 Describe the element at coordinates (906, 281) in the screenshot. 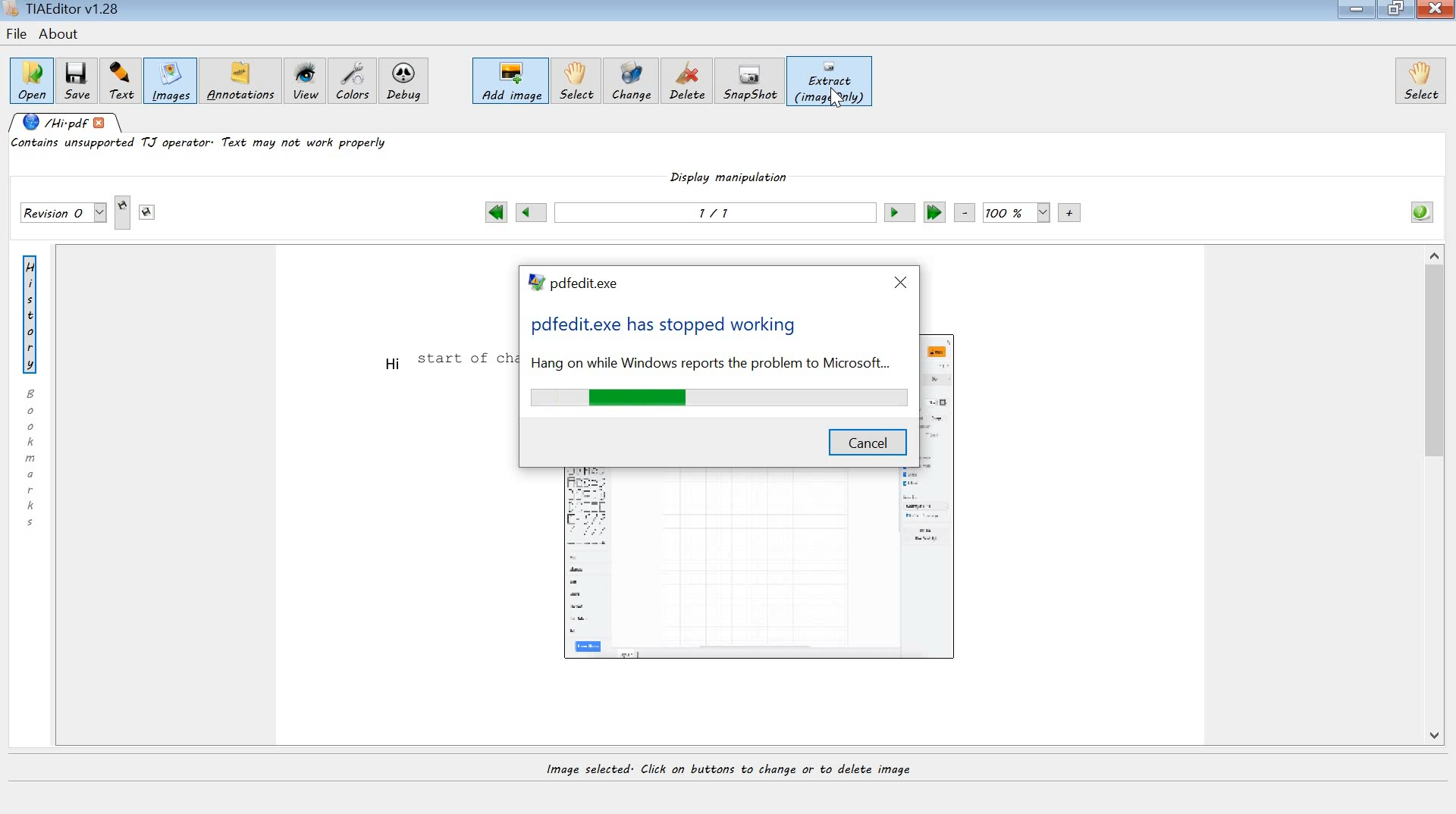

I see `close` at that location.